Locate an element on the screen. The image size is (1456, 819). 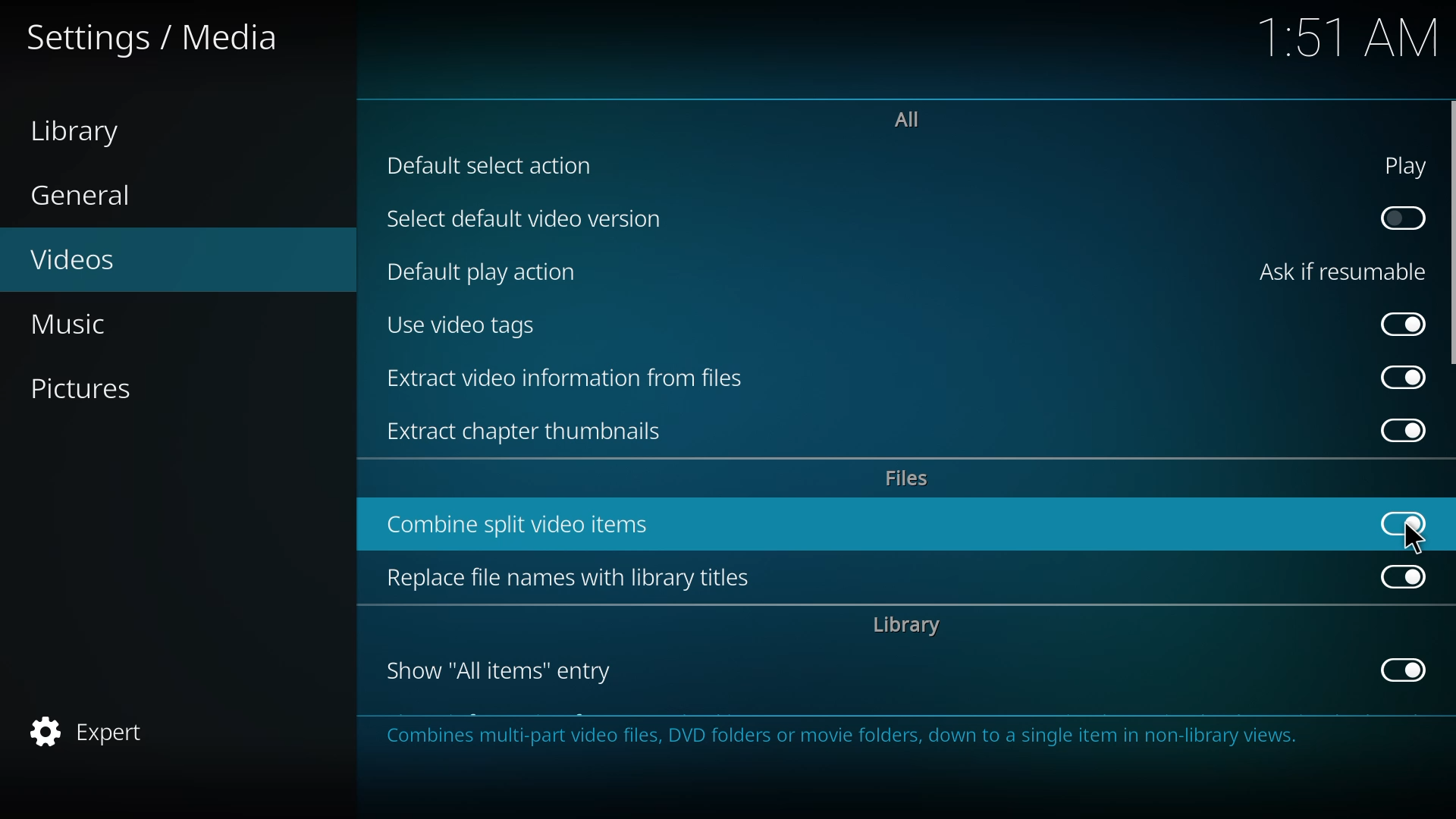
enabled is located at coordinates (1404, 522).